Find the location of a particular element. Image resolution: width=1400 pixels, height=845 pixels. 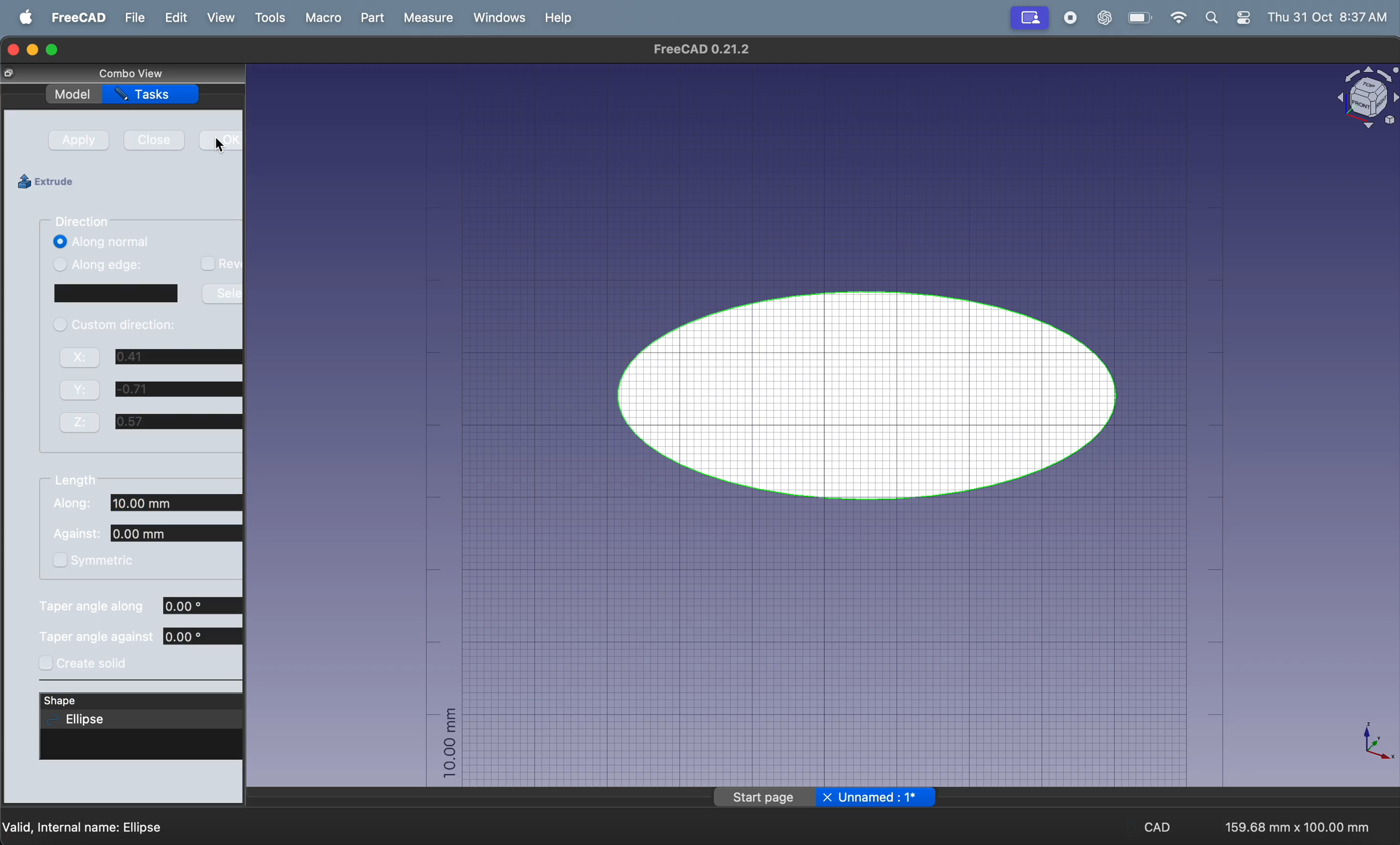

object title is located at coordinates (1352, 99).